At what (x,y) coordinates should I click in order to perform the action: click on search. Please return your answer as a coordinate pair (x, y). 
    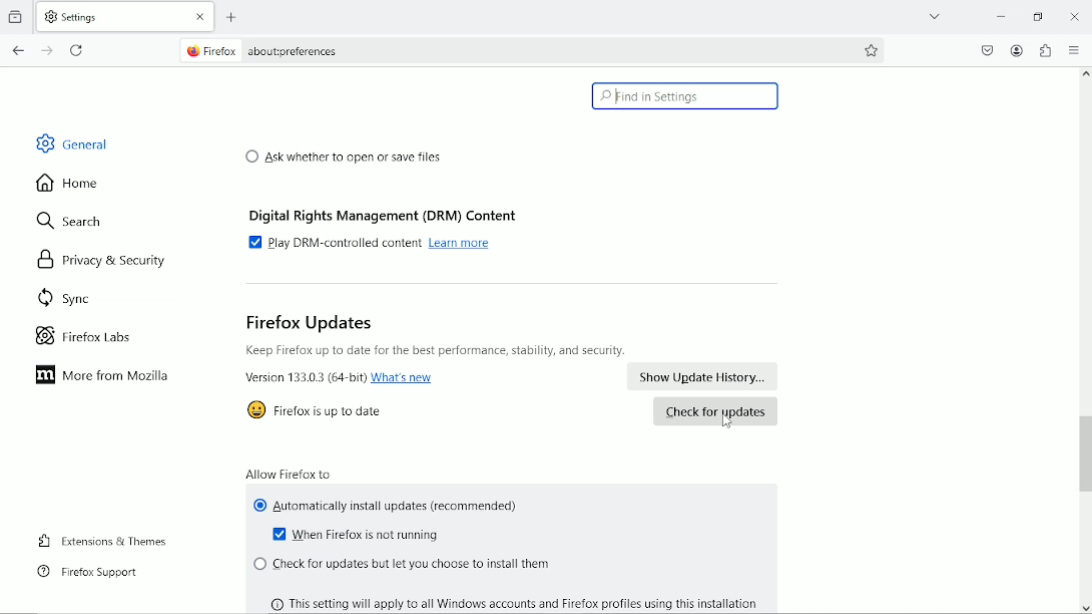
    Looking at the image, I should click on (70, 222).